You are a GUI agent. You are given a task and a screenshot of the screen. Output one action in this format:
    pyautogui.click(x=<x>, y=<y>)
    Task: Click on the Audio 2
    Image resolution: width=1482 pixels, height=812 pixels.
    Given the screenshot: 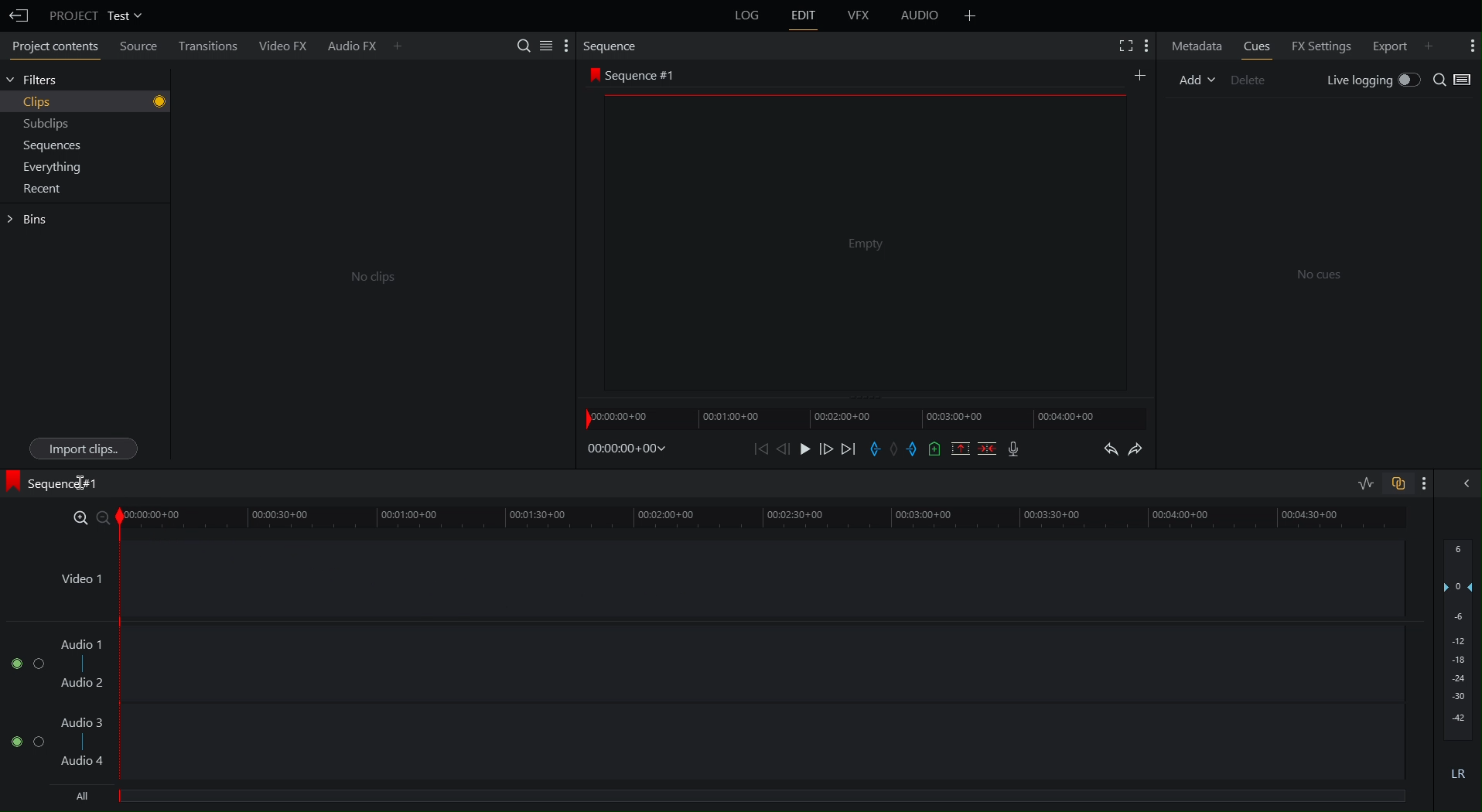 What is the action you would take?
    pyautogui.click(x=84, y=682)
    